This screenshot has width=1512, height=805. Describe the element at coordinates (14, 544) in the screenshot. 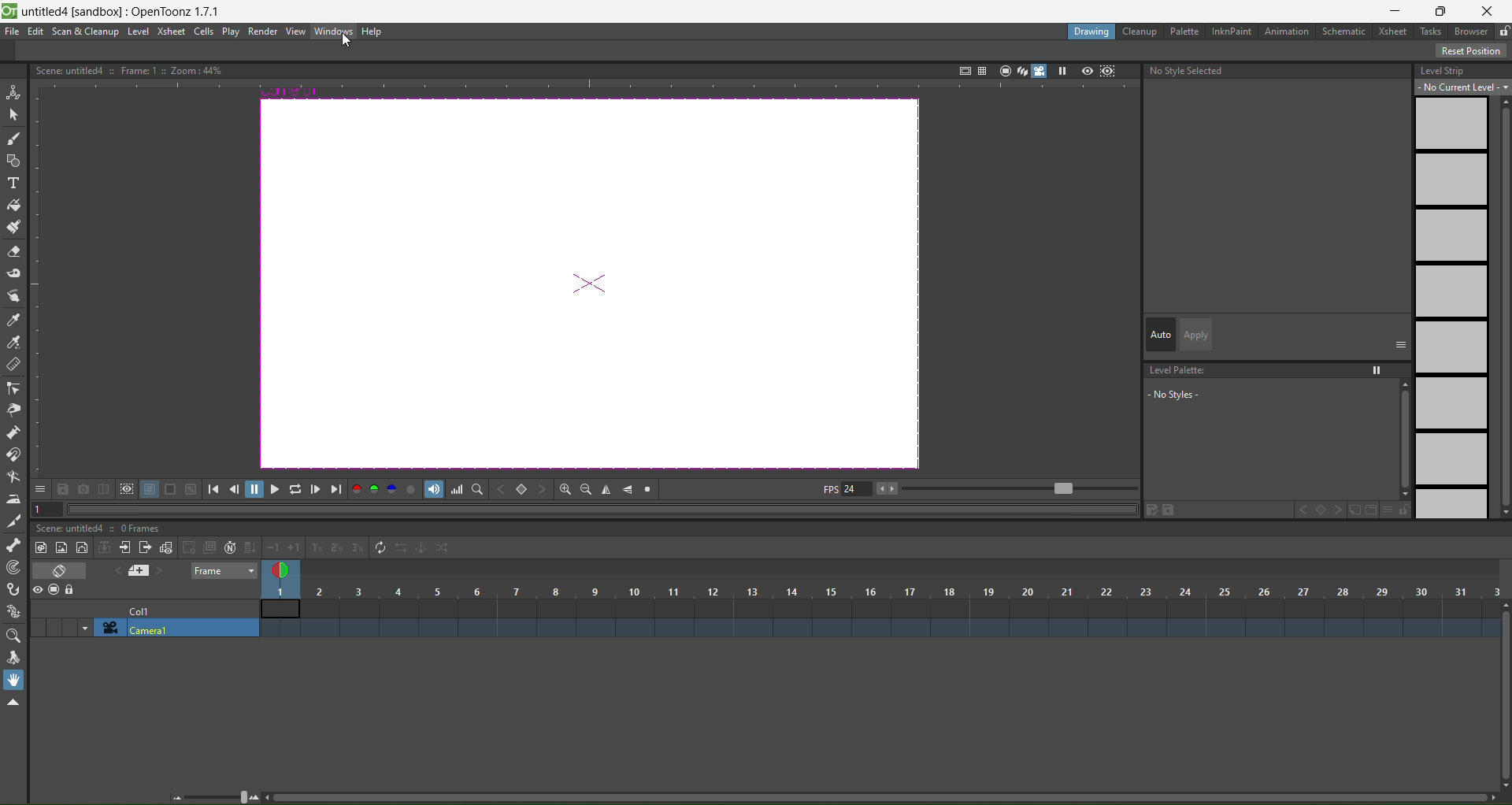

I see `skeleton tool` at that location.